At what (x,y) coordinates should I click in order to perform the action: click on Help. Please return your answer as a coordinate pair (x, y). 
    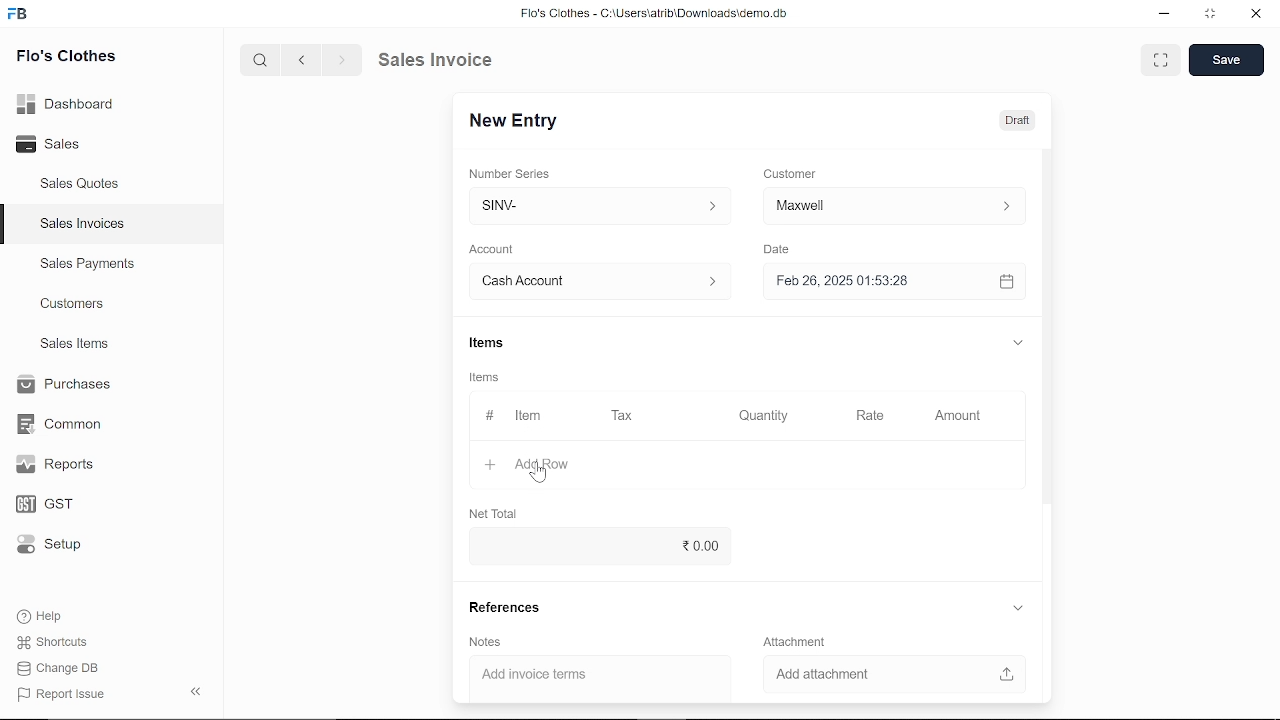
    Looking at the image, I should click on (53, 616).